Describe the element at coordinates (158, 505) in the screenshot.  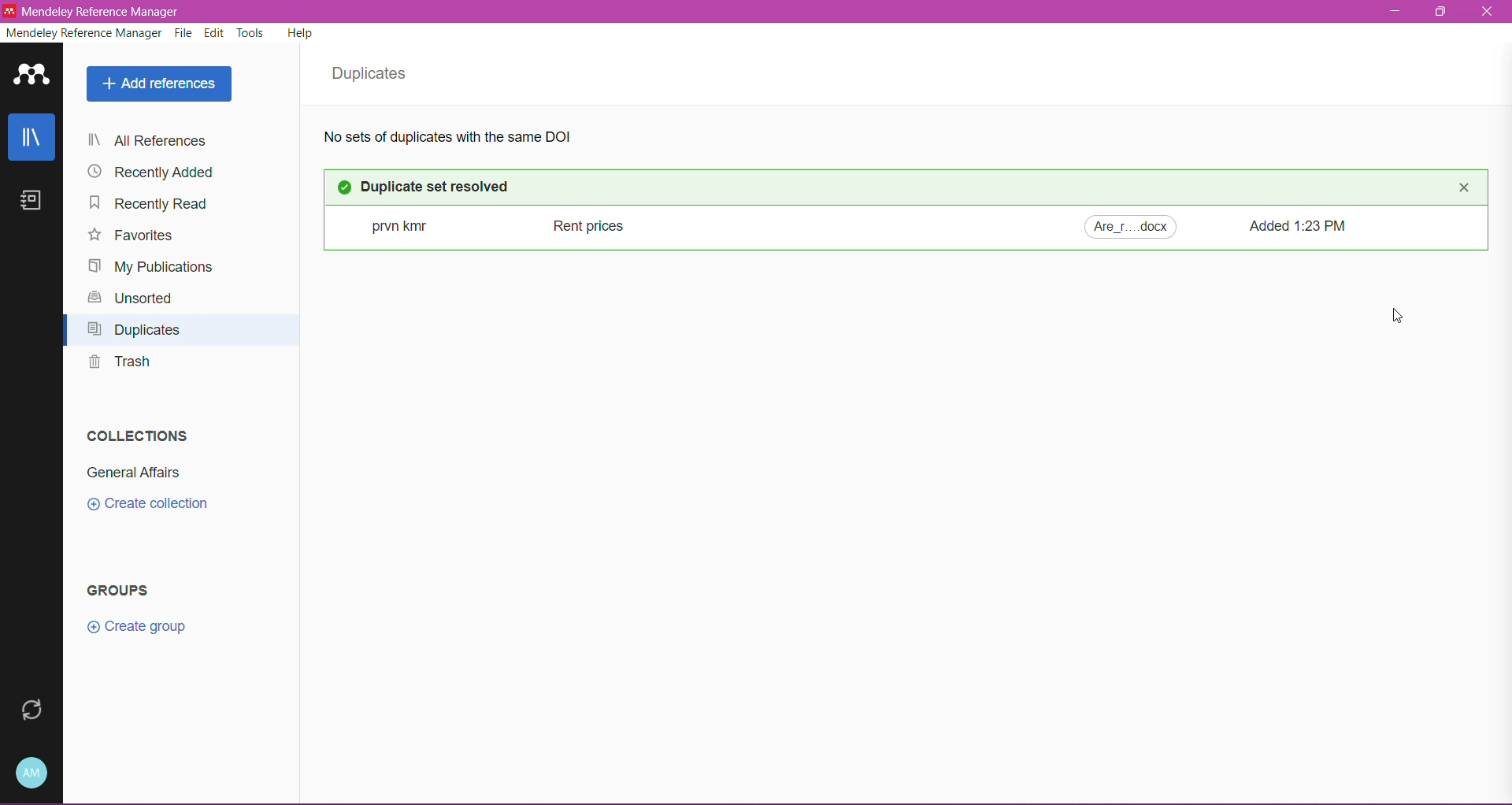
I see `Click to Create New Collection` at that location.